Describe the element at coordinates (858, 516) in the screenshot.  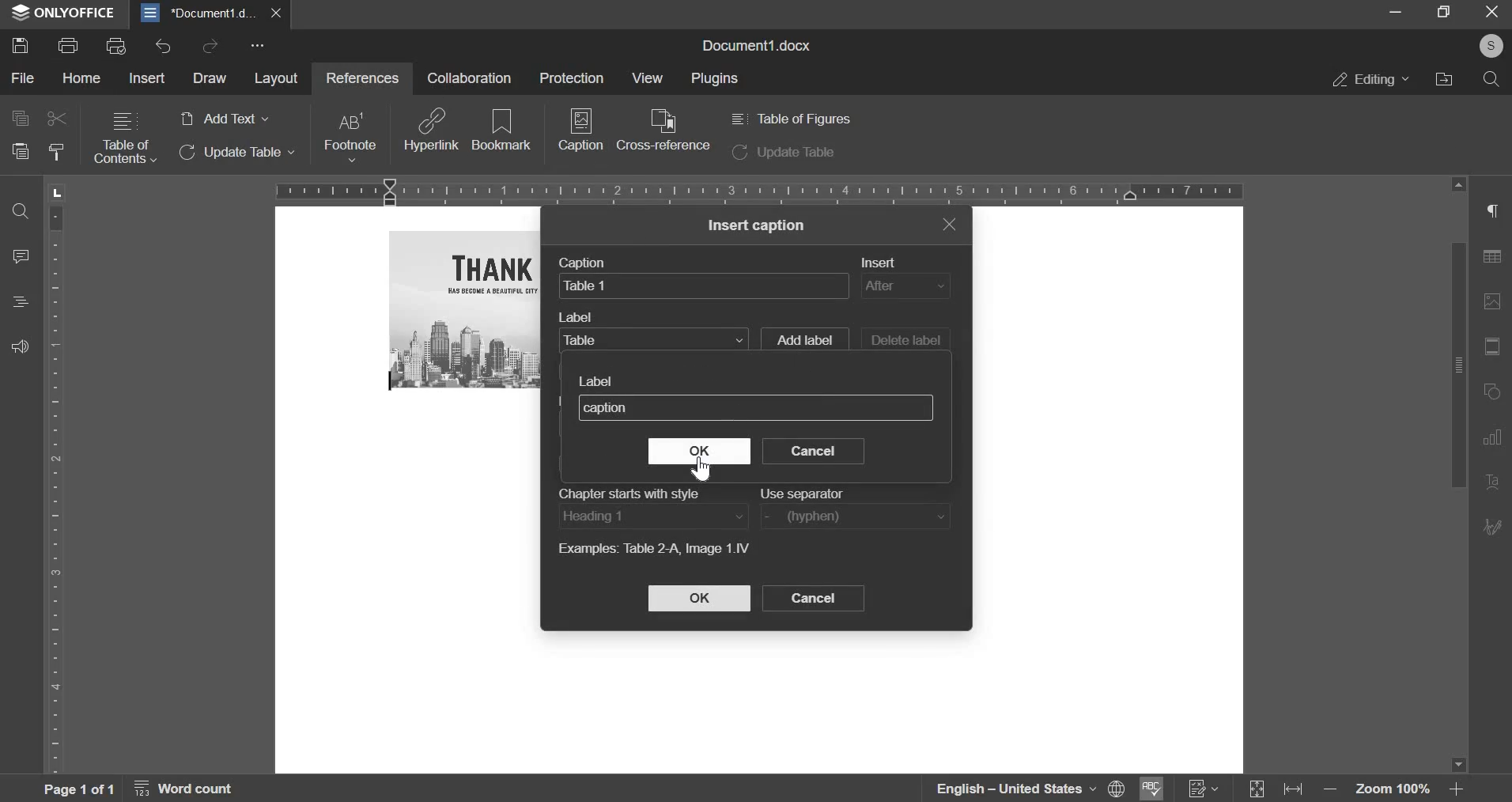
I see `use separator` at that location.